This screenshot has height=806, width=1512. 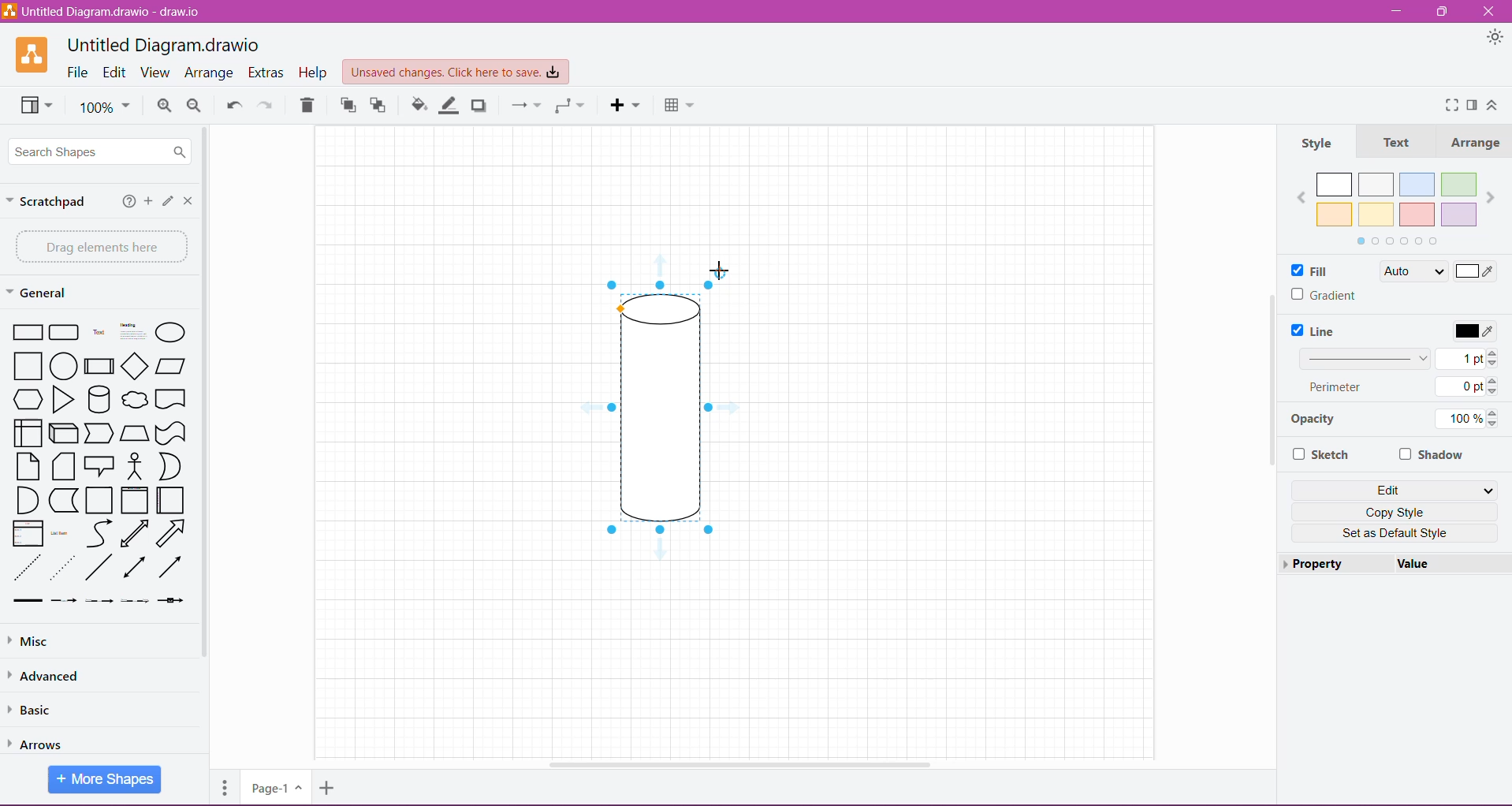 I want to click on Arrange, so click(x=210, y=73).